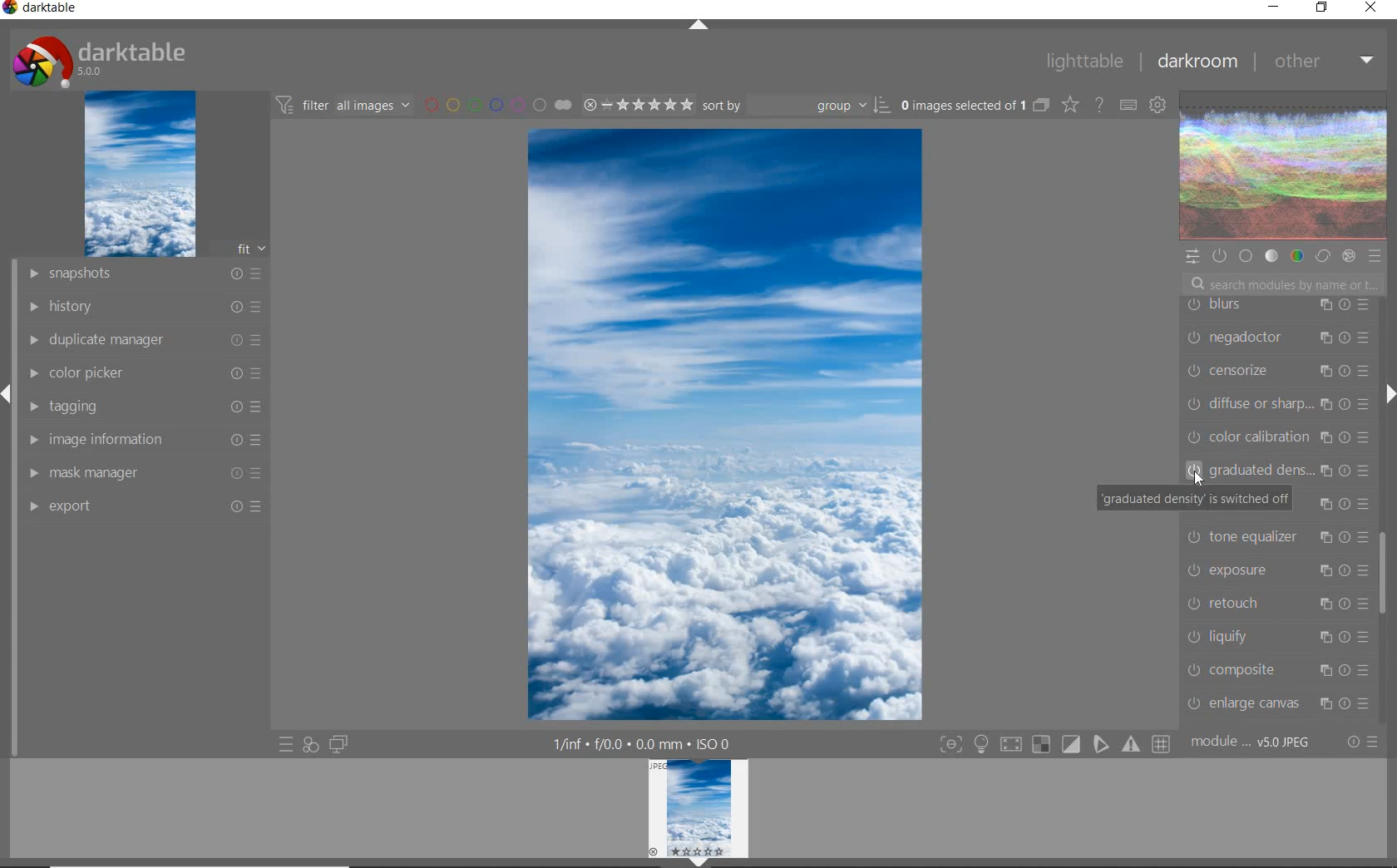 The width and height of the screenshot is (1397, 868). Describe the element at coordinates (285, 745) in the screenshot. I see `QUICK ACCESS TO PRESET` at that location.